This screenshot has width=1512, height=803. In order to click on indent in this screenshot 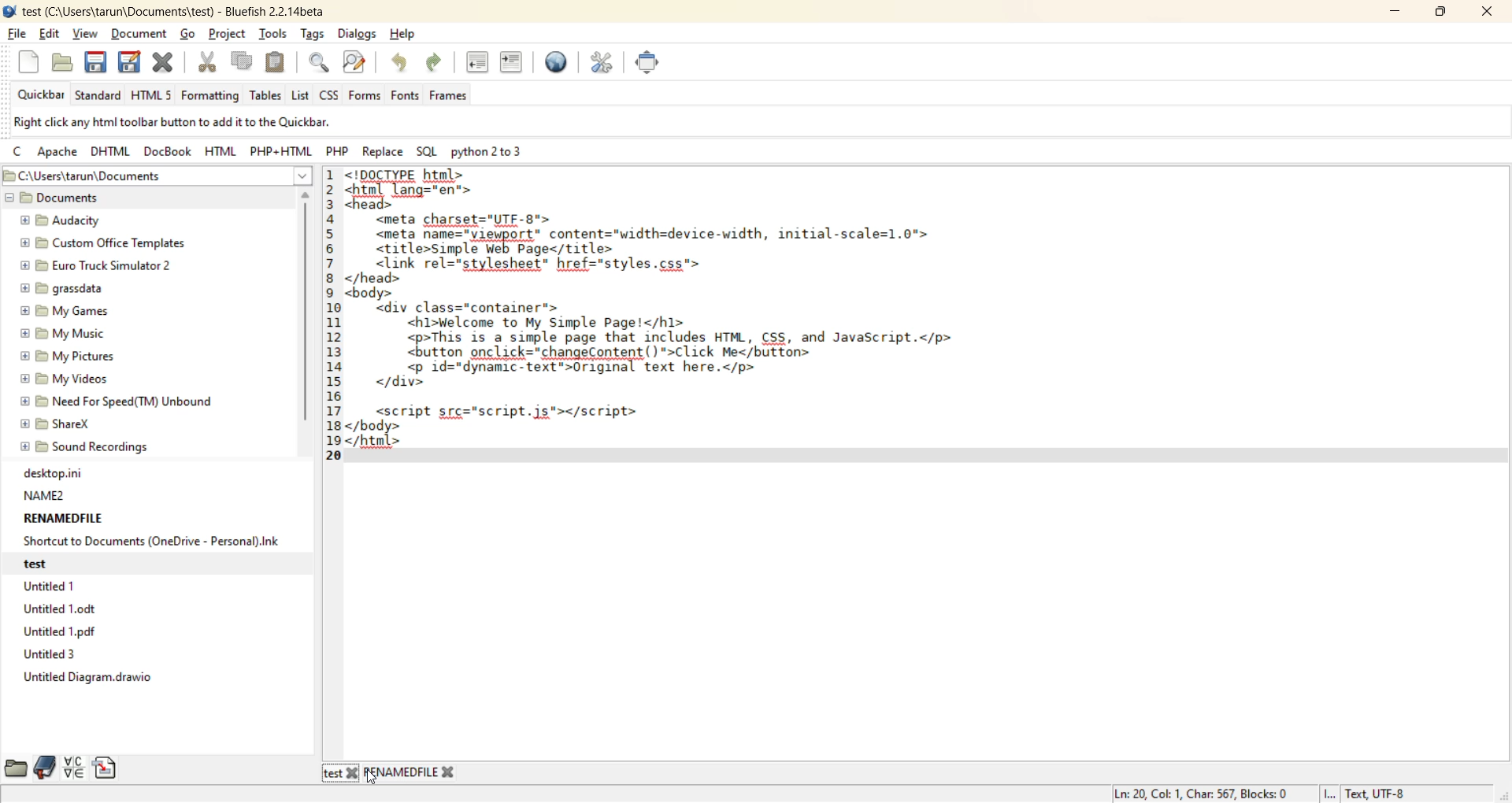, I will do `click(509, 61)`.